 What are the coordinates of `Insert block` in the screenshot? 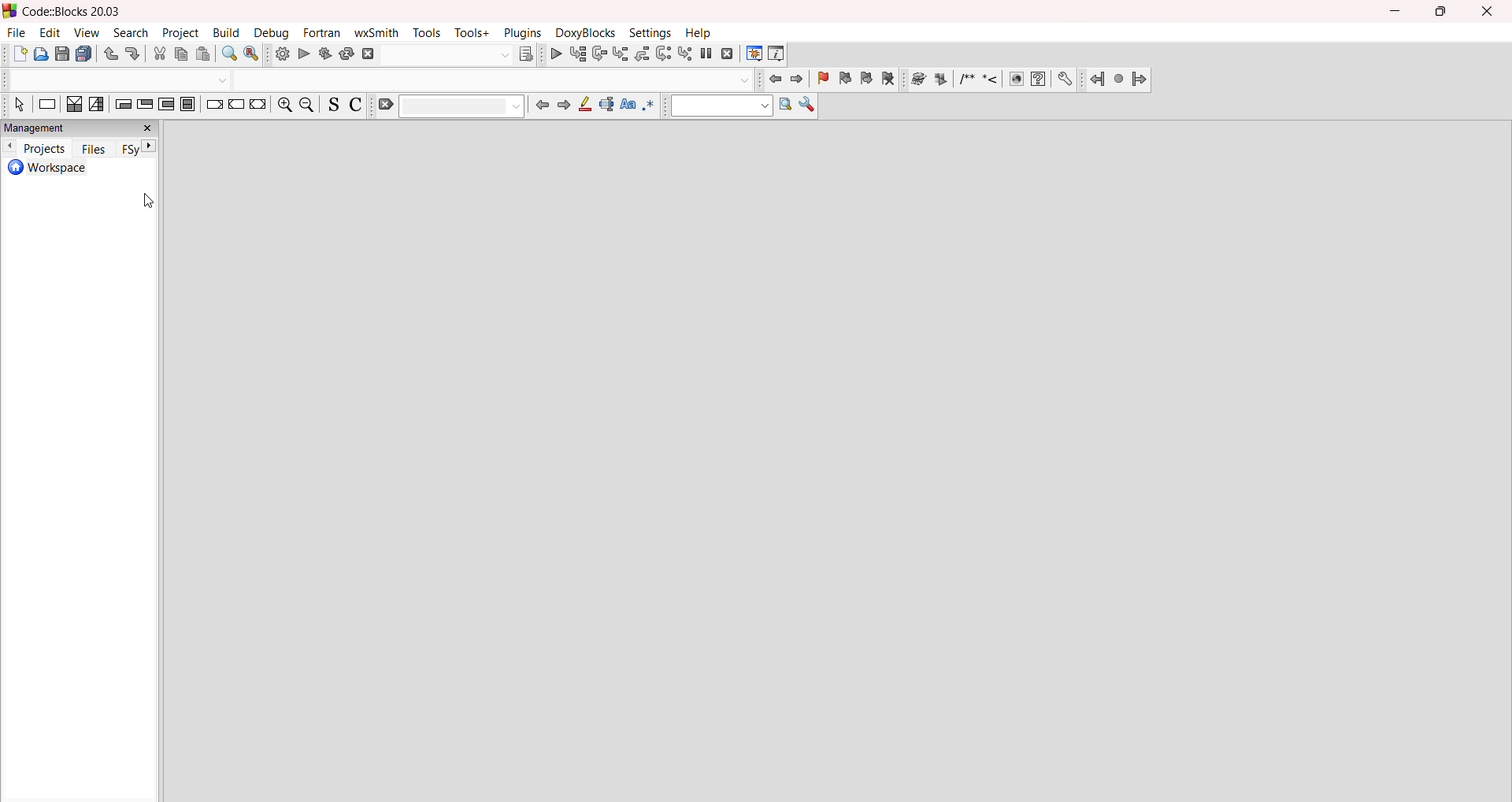 It's located at (965, 79).